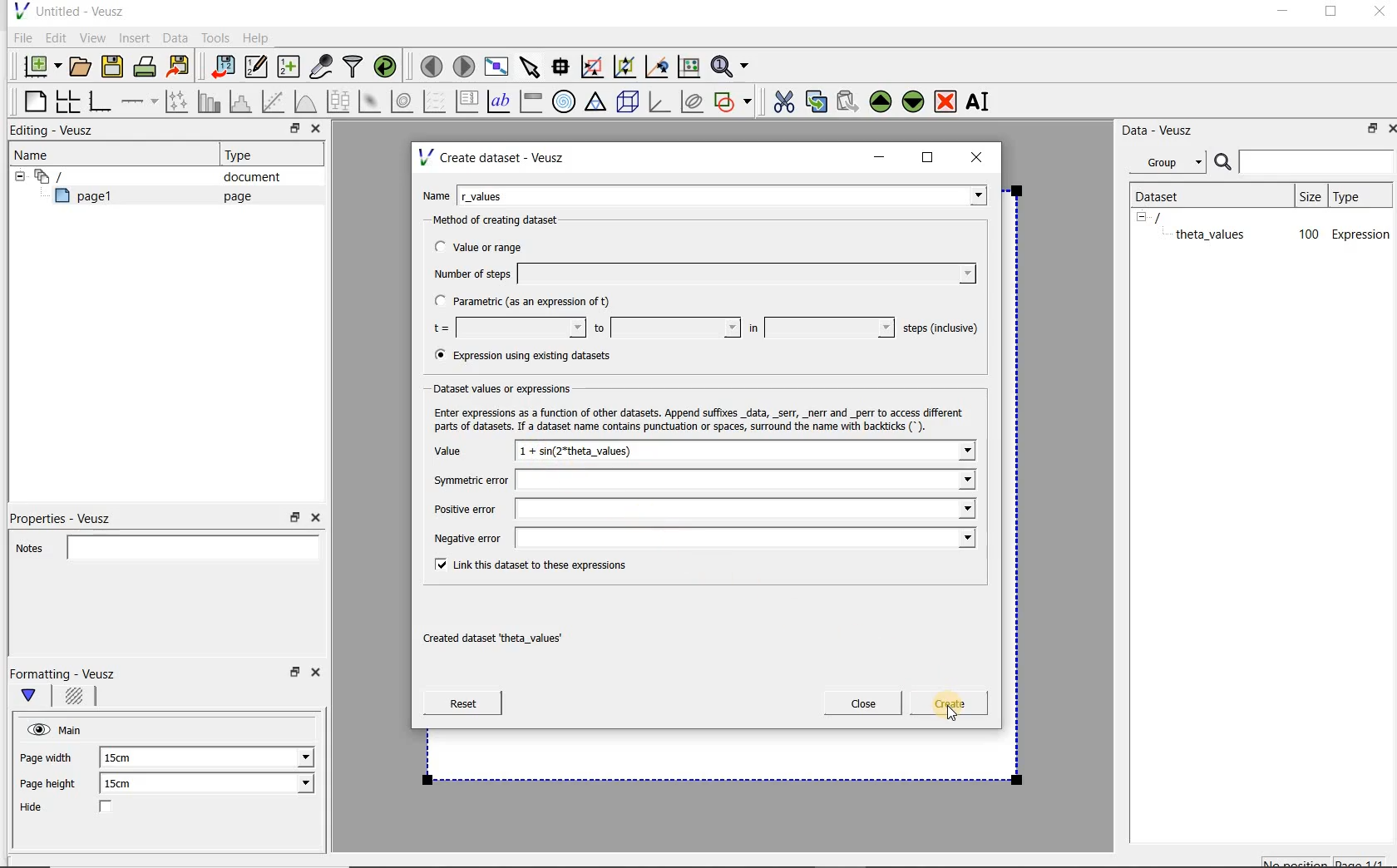 This screenshot has width=1397, height=868. What do you see at coordinates (693, 101) in the screenshot?
I see `plot covariance ellipses` at bounding box center [693, 101].